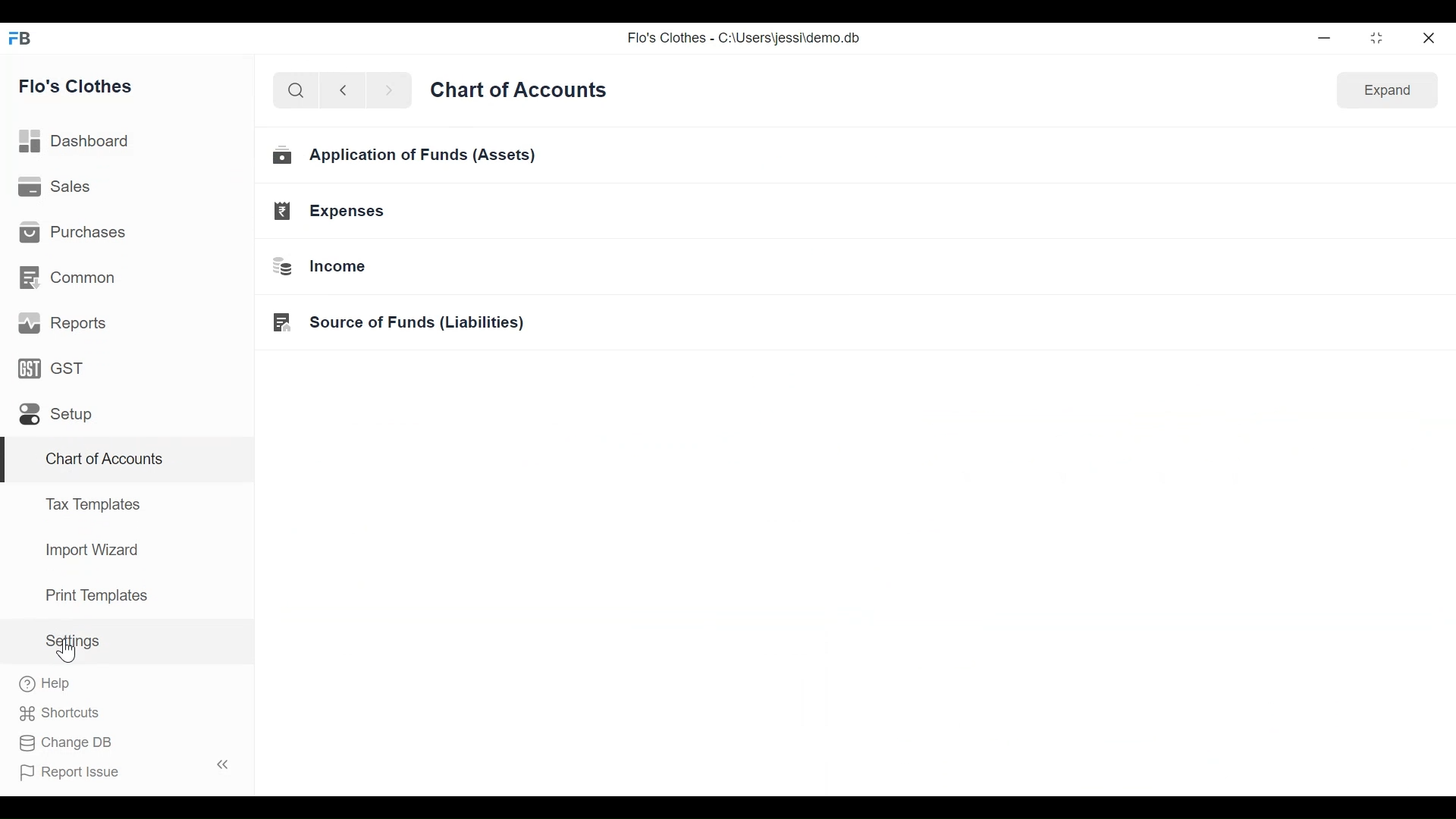  What do you see at coordinates (76, 86) in the screenshot?
I see `flo's clothes` at bounding box center [76, 86].